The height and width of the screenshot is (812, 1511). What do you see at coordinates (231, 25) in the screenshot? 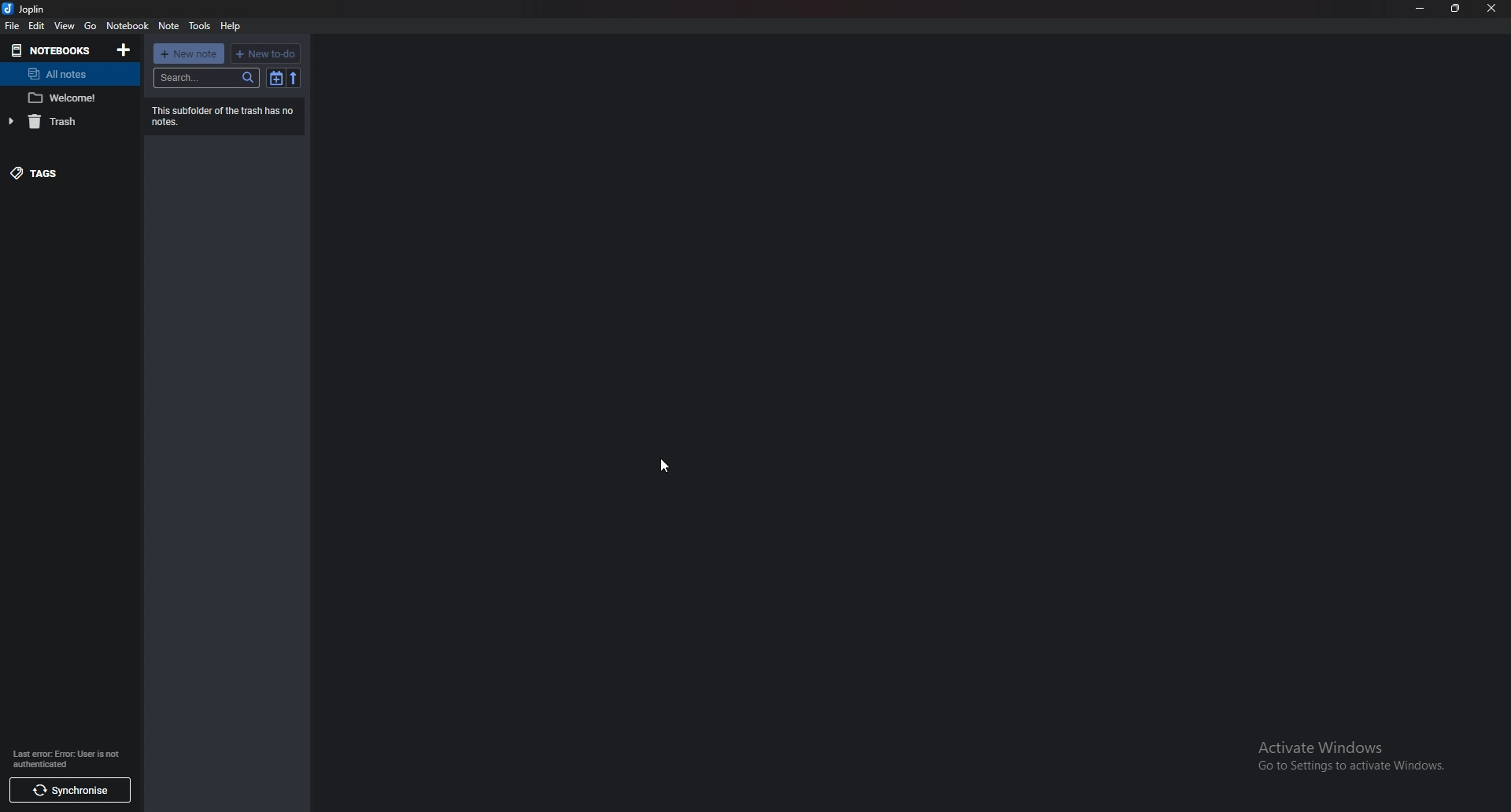
I see `help` at bounding box center [231, 25].